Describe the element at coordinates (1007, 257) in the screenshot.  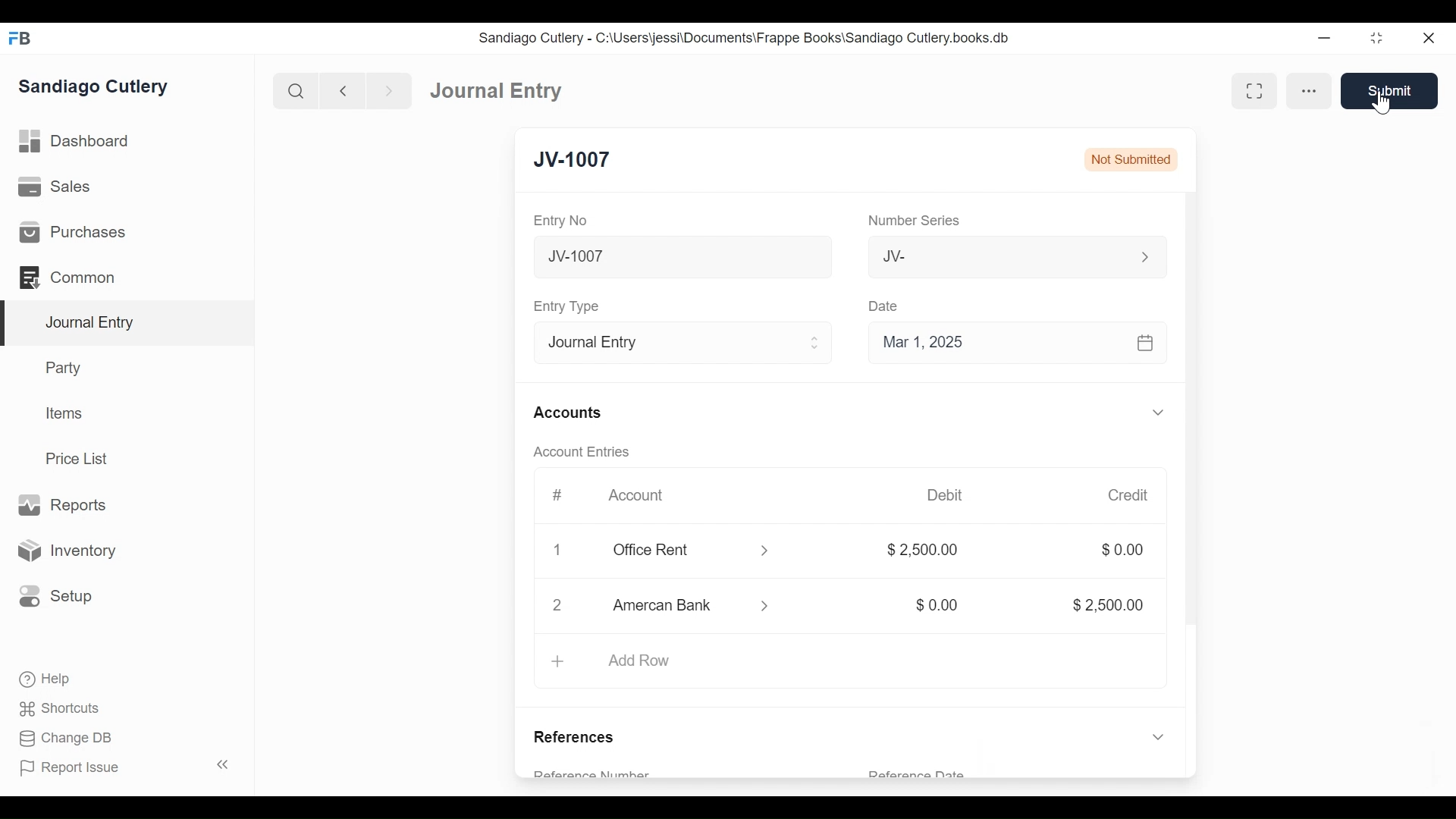
I see `Jv-` at that location.